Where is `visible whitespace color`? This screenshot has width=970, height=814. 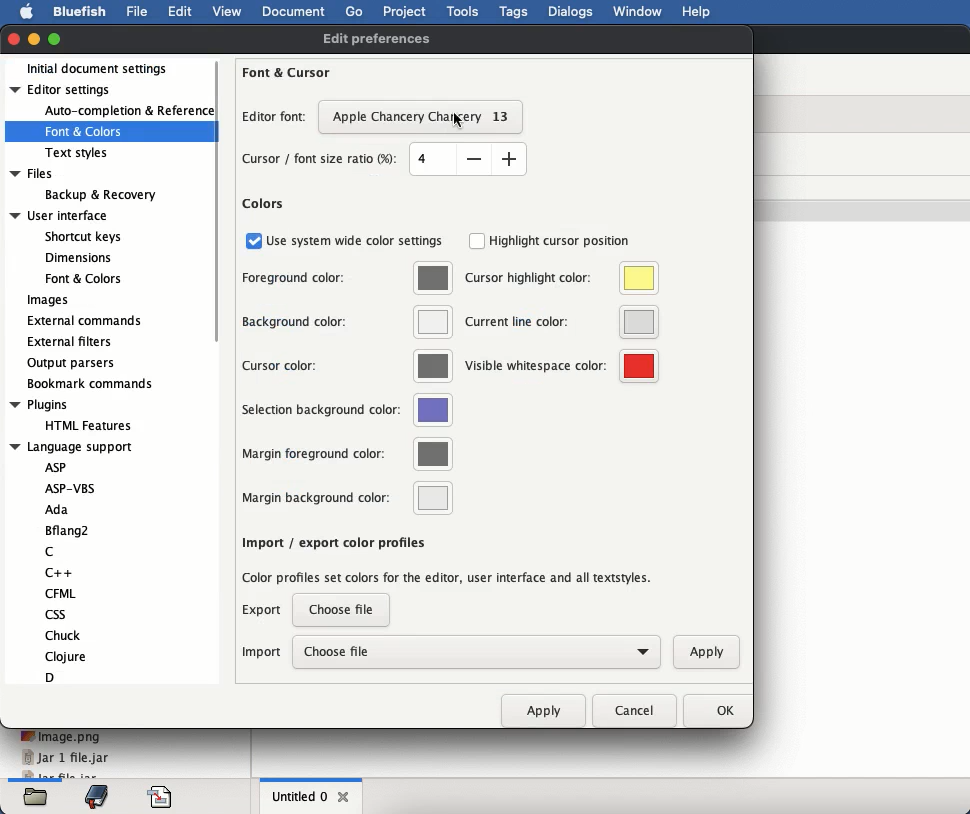
visible whitespace color is located at coordinates (560, 365).